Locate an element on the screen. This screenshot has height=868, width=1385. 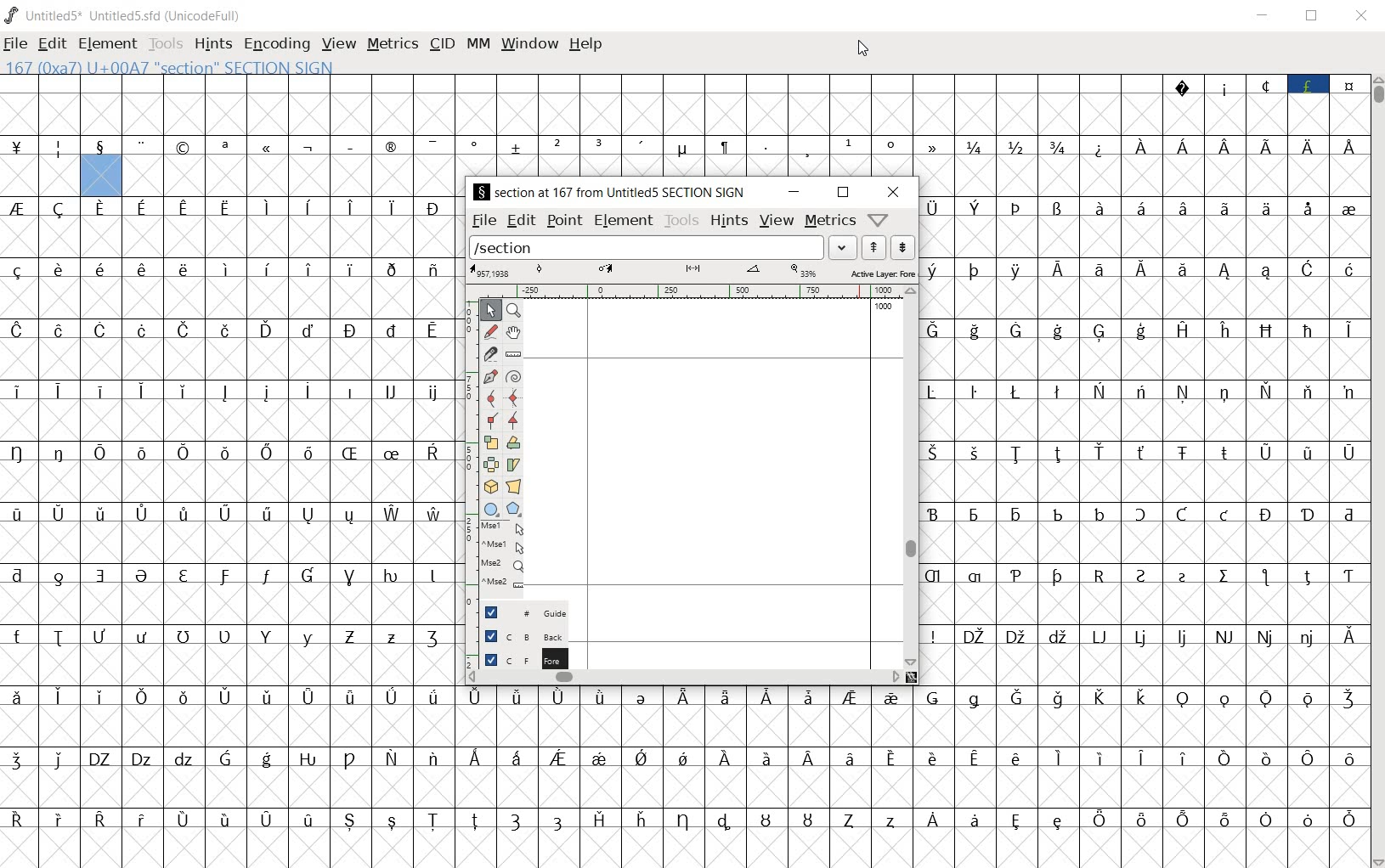
empty cells is located at coordinates (1145, 421).